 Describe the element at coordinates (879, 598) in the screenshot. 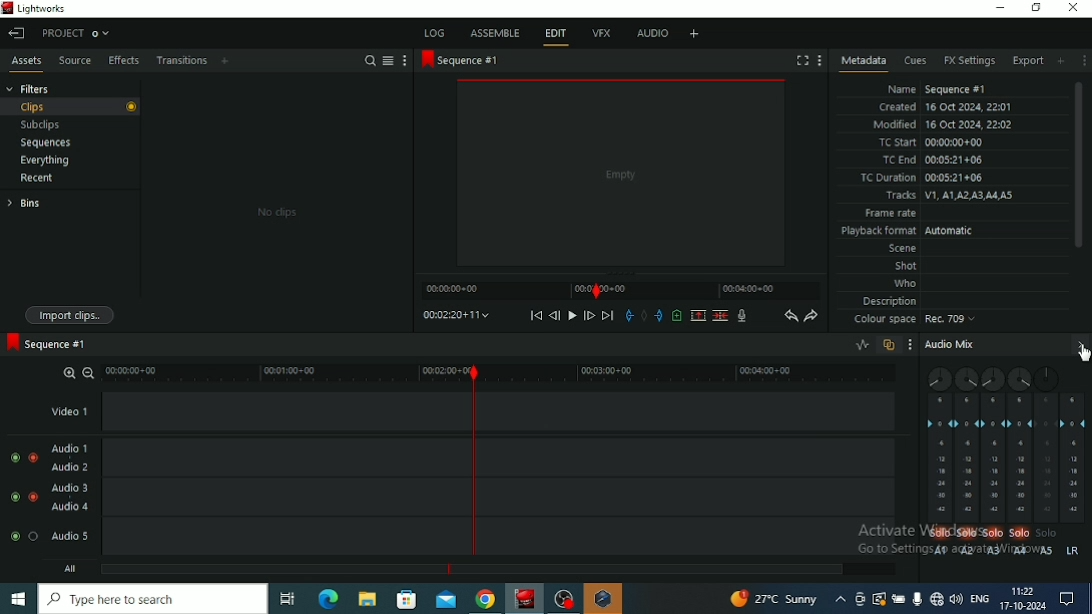

I see `Warning` at that location.